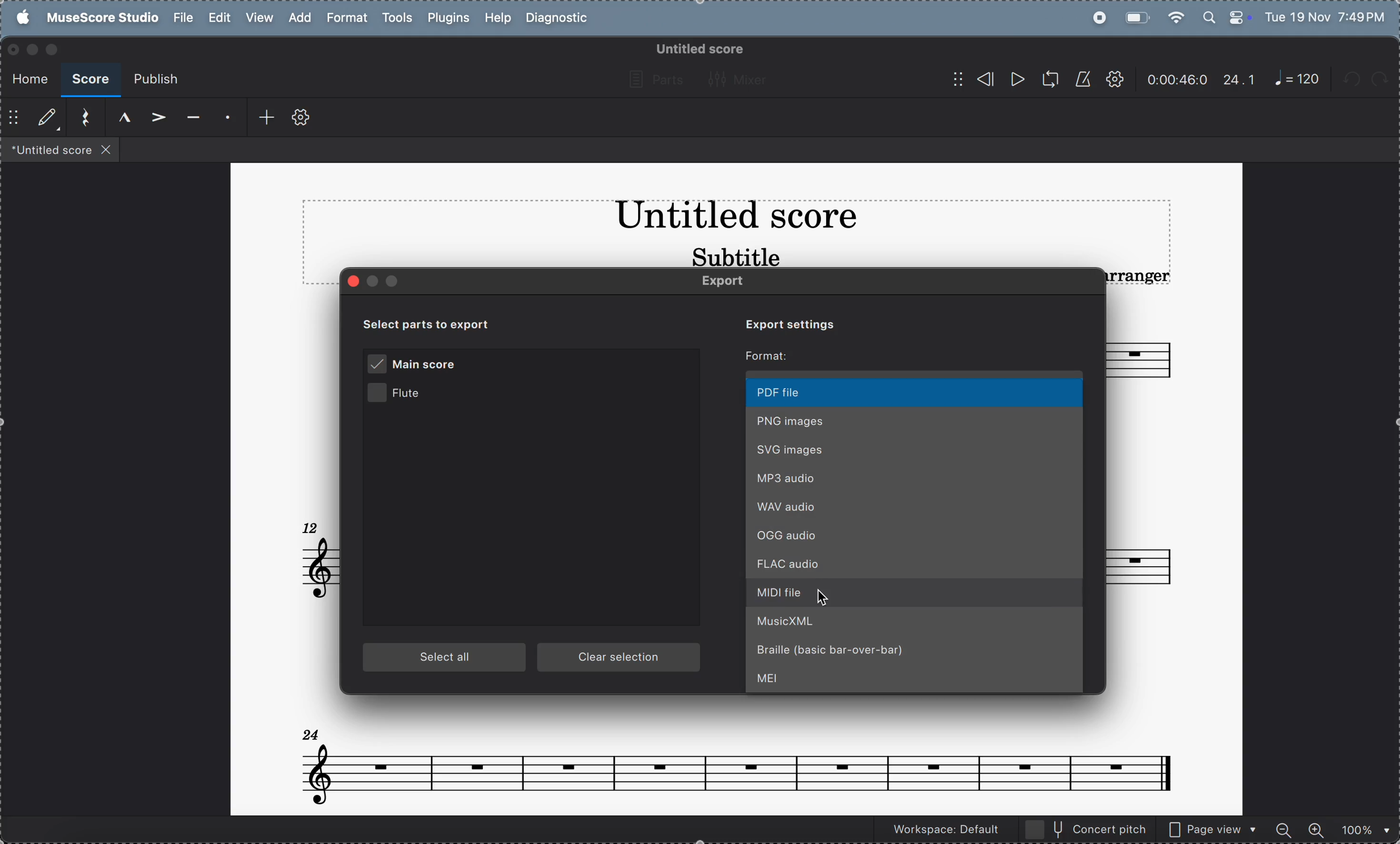 Image resolution: width=1400 pixels, height=844 pixels. What do you see at coordinates (19, 17) in the screenshot?
I see `apple menu` at bounding box center [19, 17].